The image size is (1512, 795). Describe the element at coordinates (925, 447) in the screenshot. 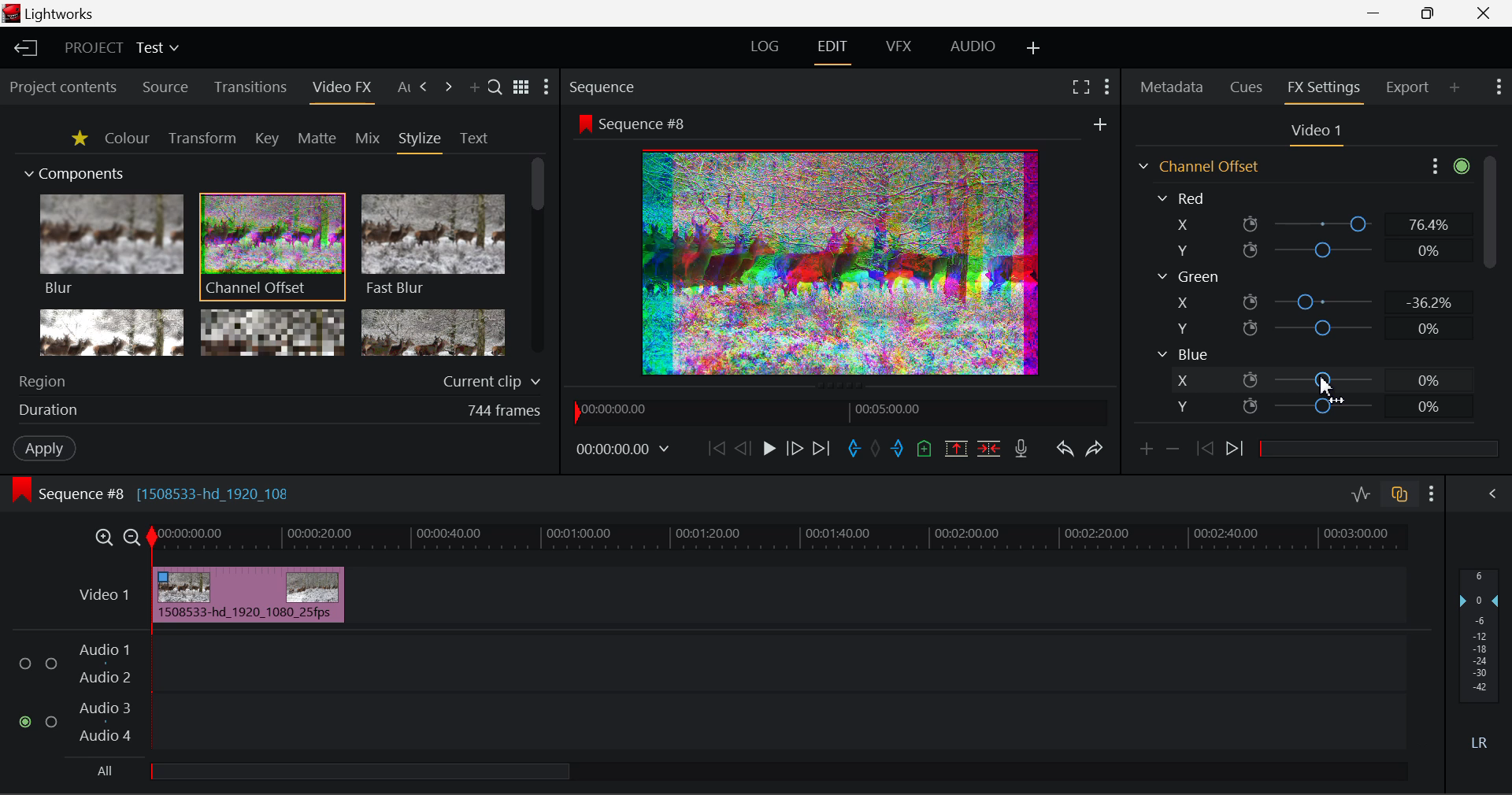

I see `Mark Cue` at that location.